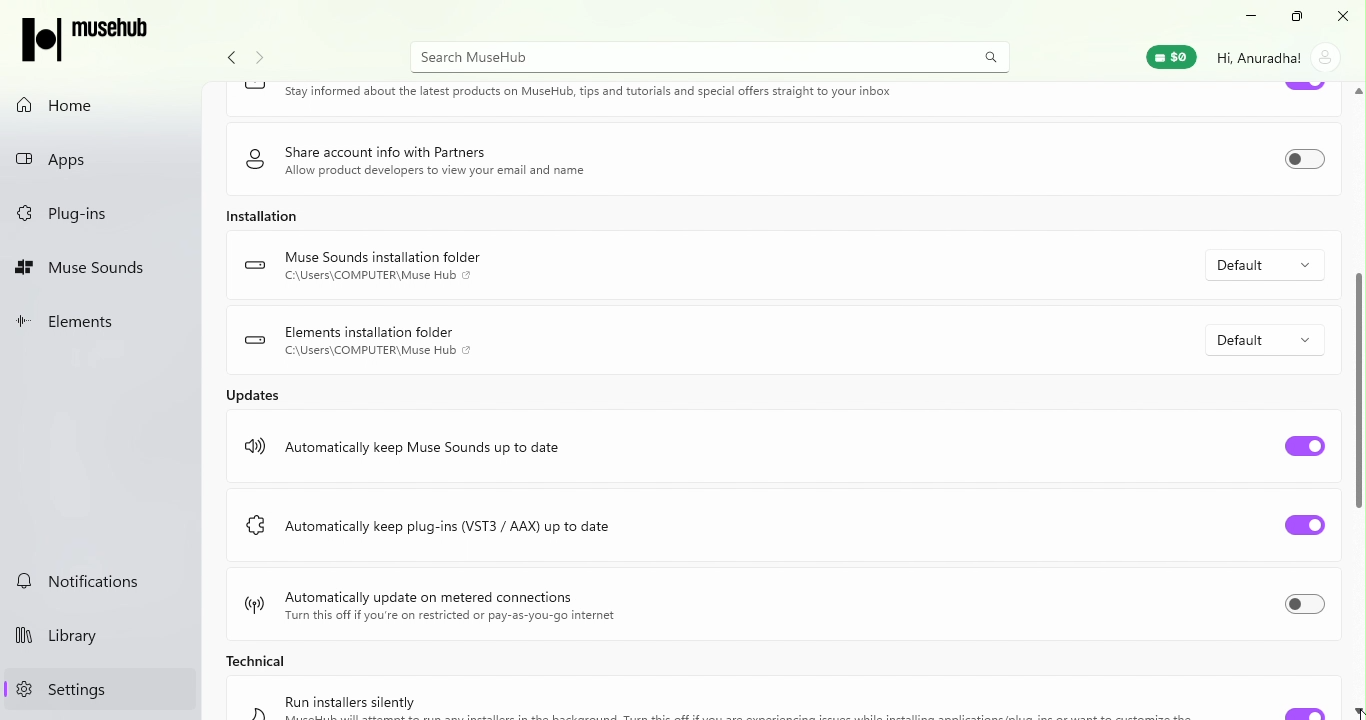 This screenshot has height=720, width=1366. Describe the element at coordinates (1346, 19) in the screenshot. I see `Close` at that location.